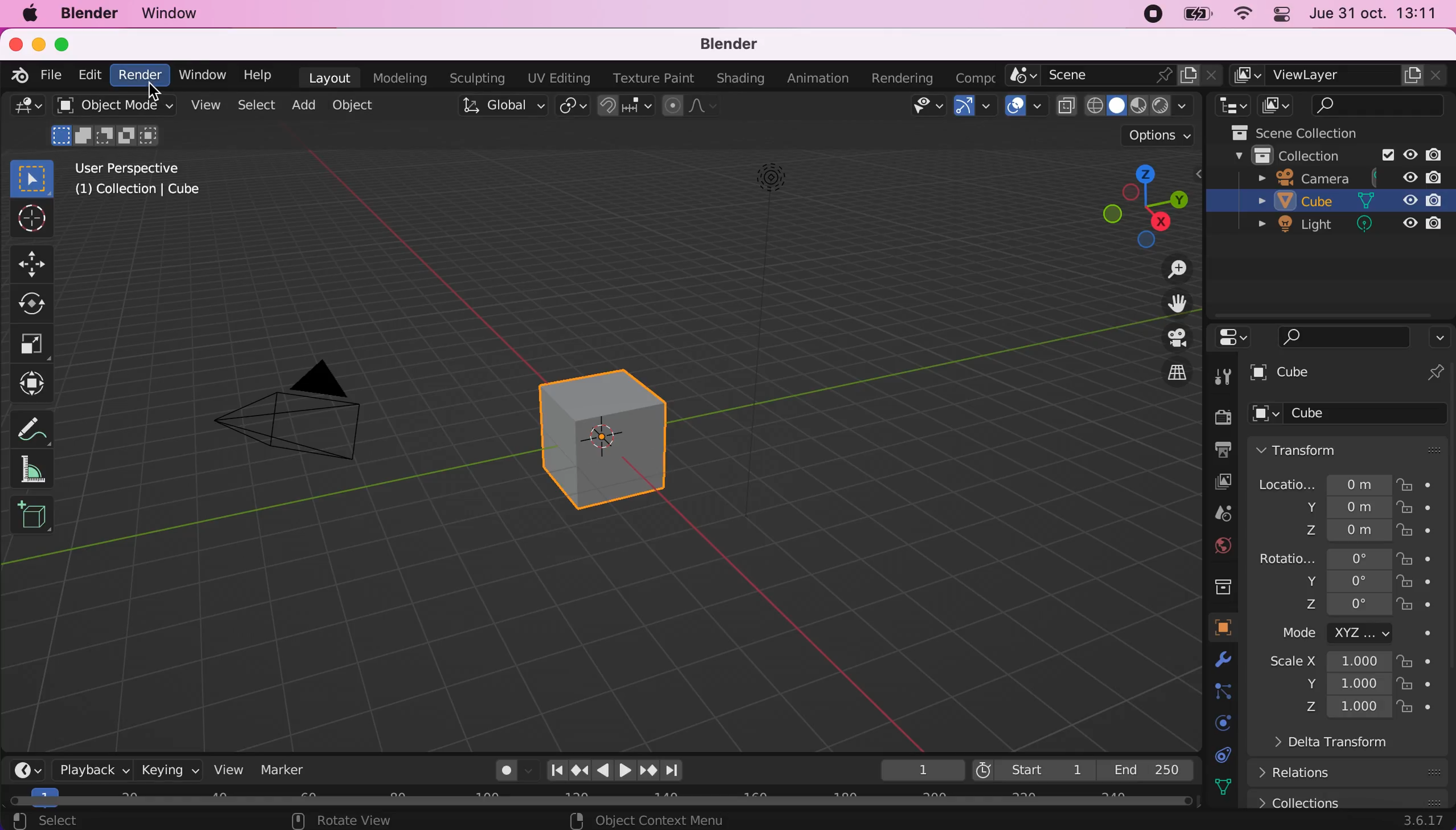  I want to click on select box, so click(32, 177).